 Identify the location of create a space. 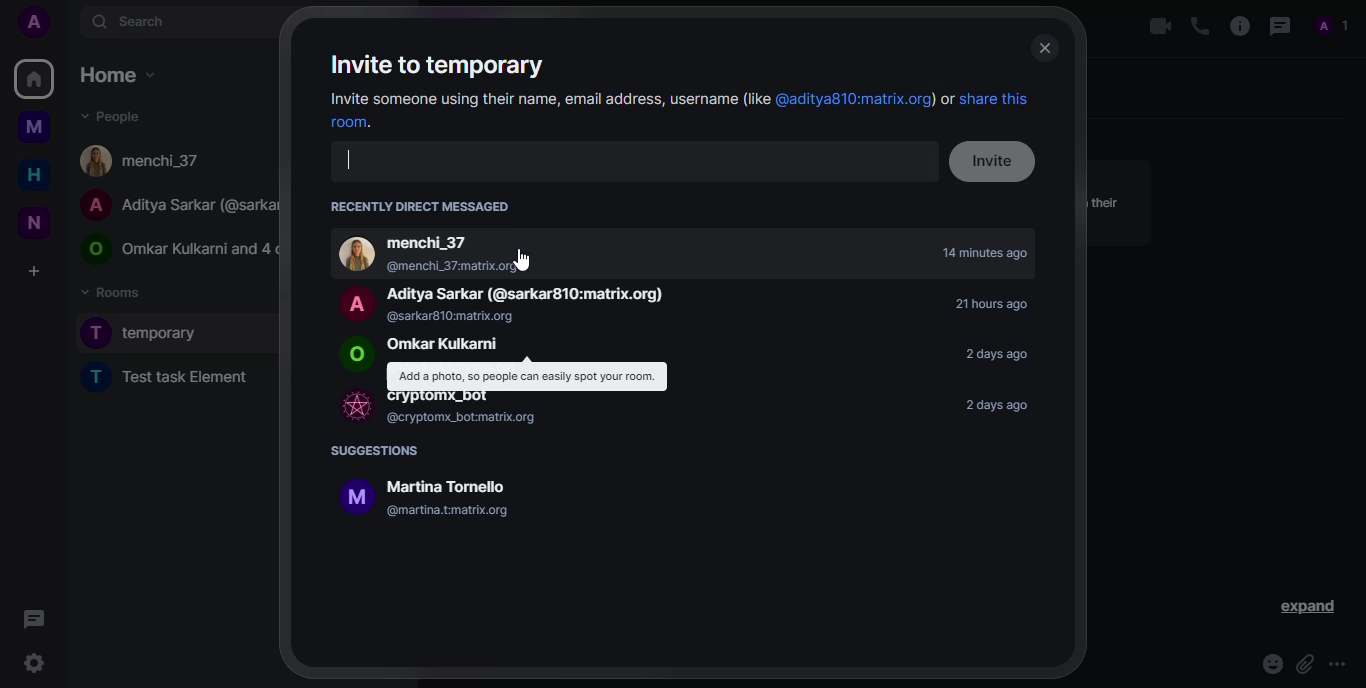
(34, 270).